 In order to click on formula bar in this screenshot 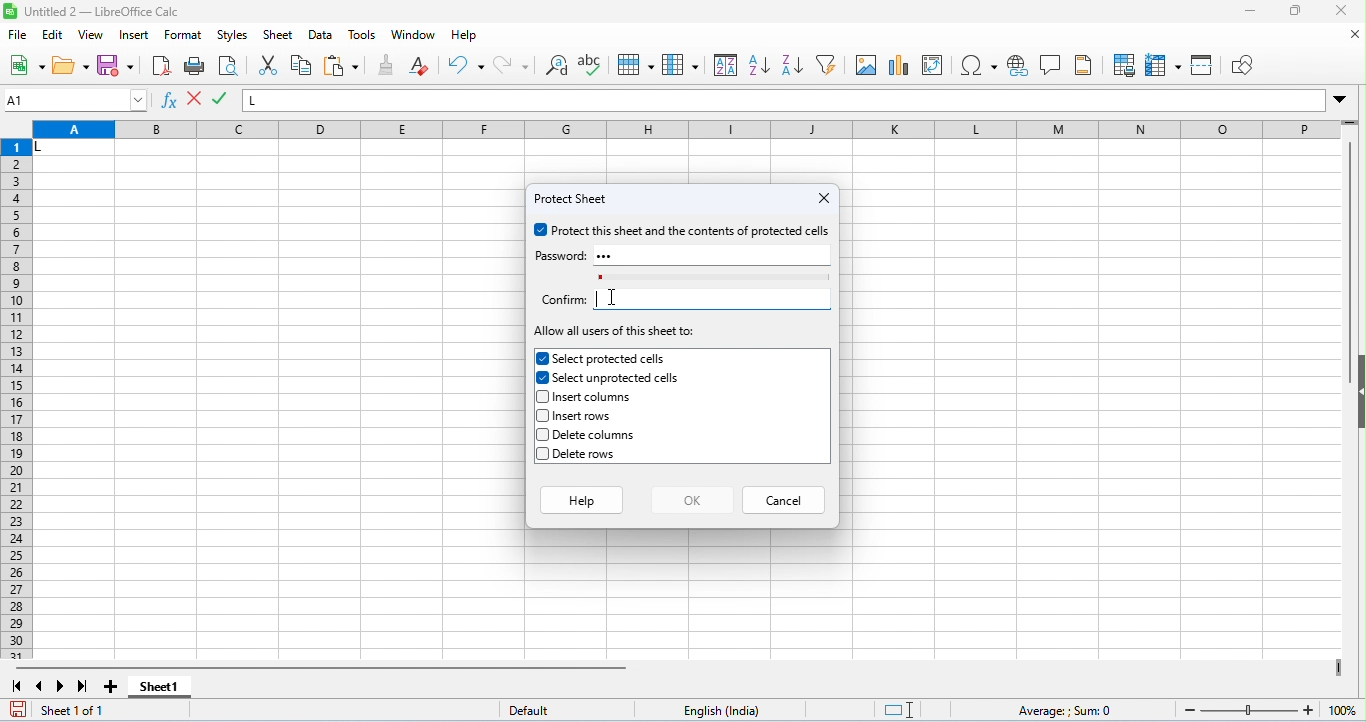, I will do `click(785, 100)`.